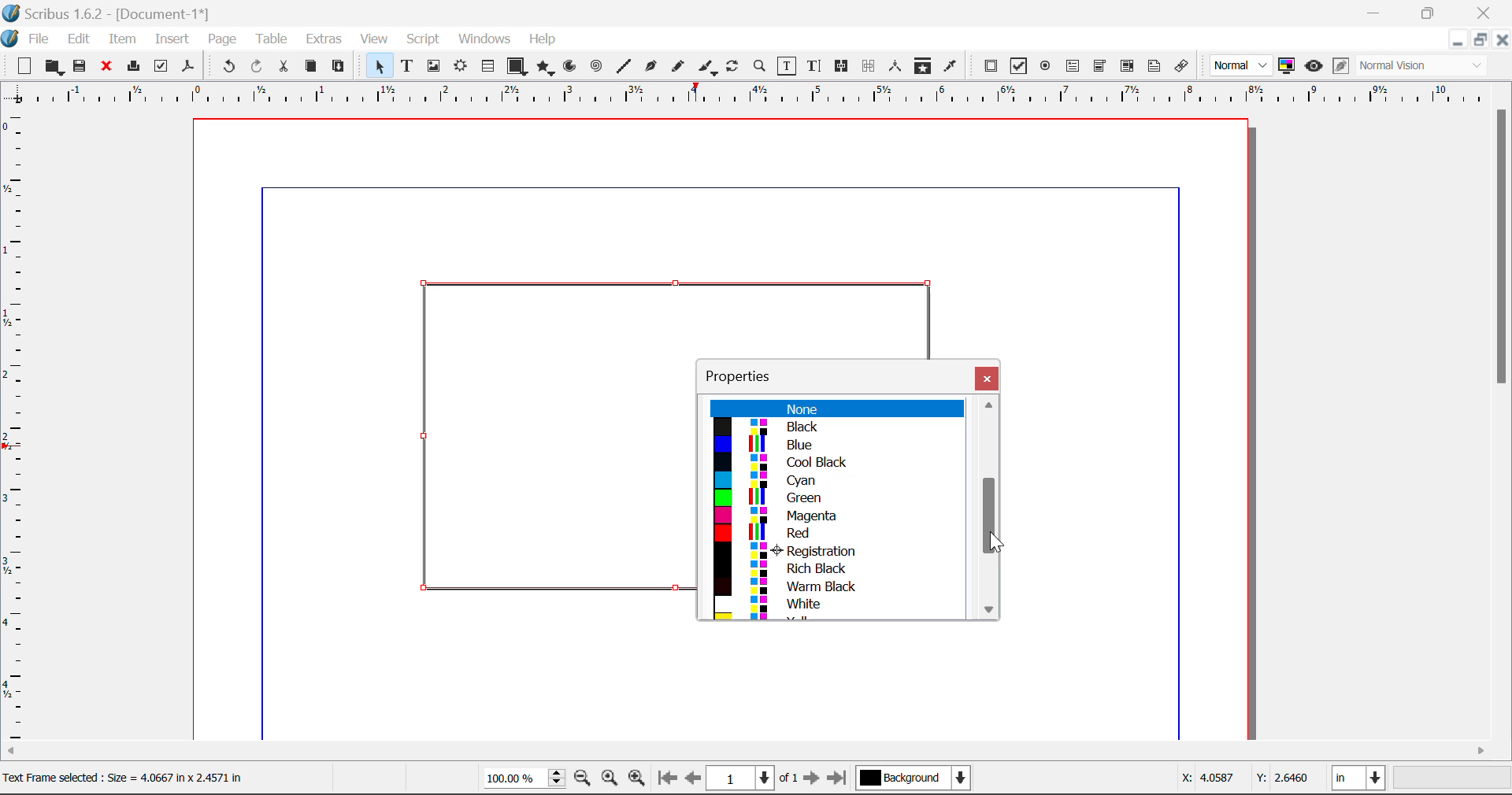 The image size is (1512, 795). Describe the element at coordinates (596, 66) in the screenshot. I see `Spiral` at that location.